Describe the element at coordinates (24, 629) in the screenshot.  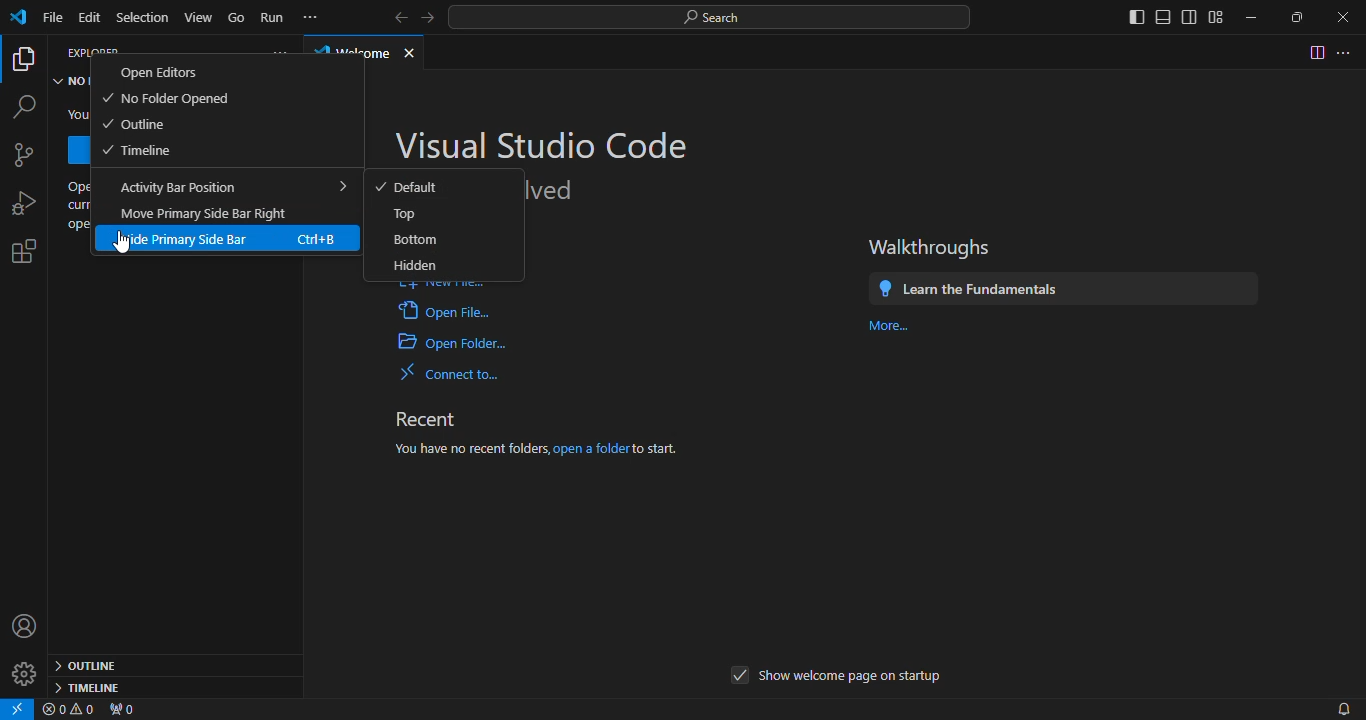
I see `profile` at that location.